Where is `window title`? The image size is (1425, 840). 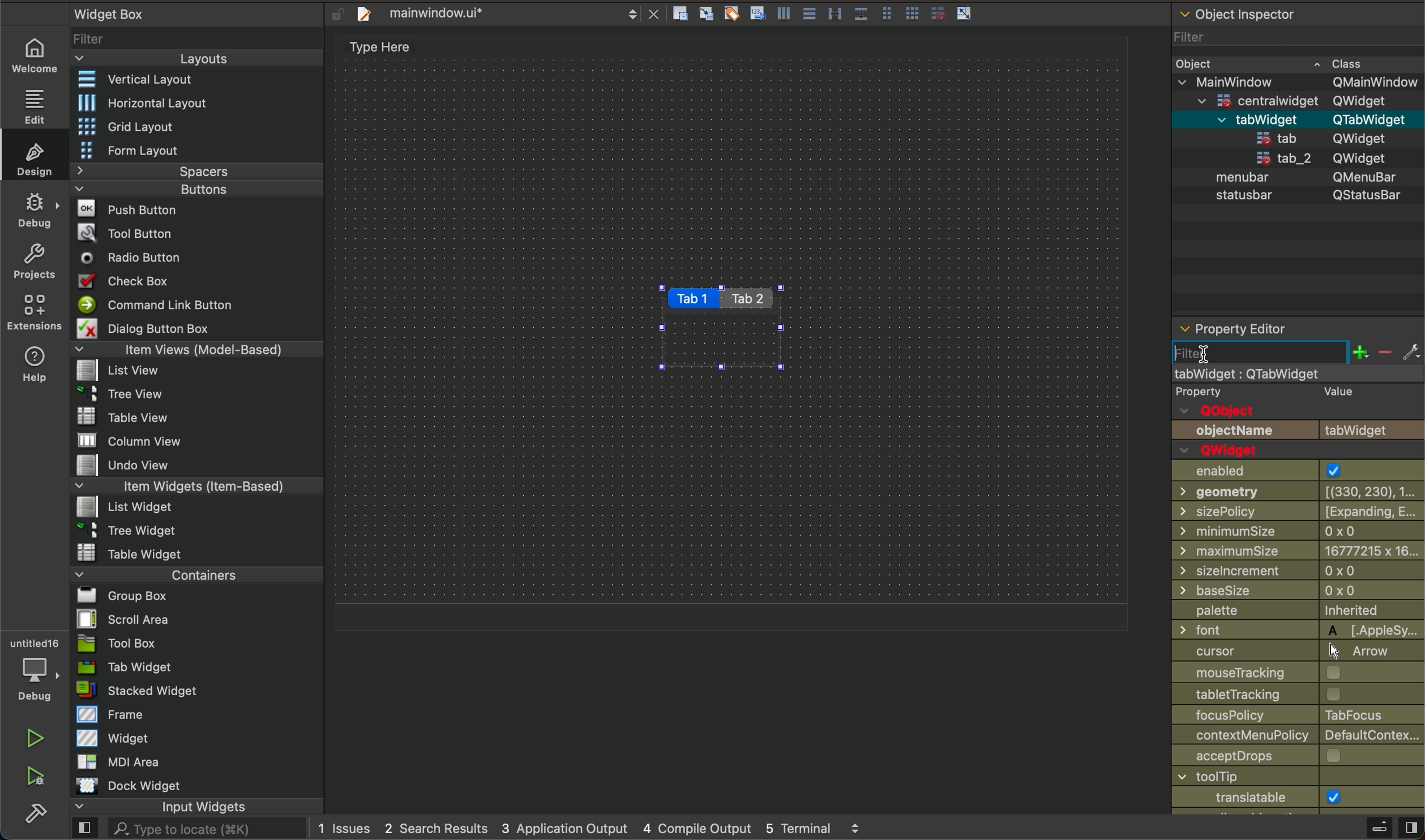
window title is located at coordinates (1299, 777).